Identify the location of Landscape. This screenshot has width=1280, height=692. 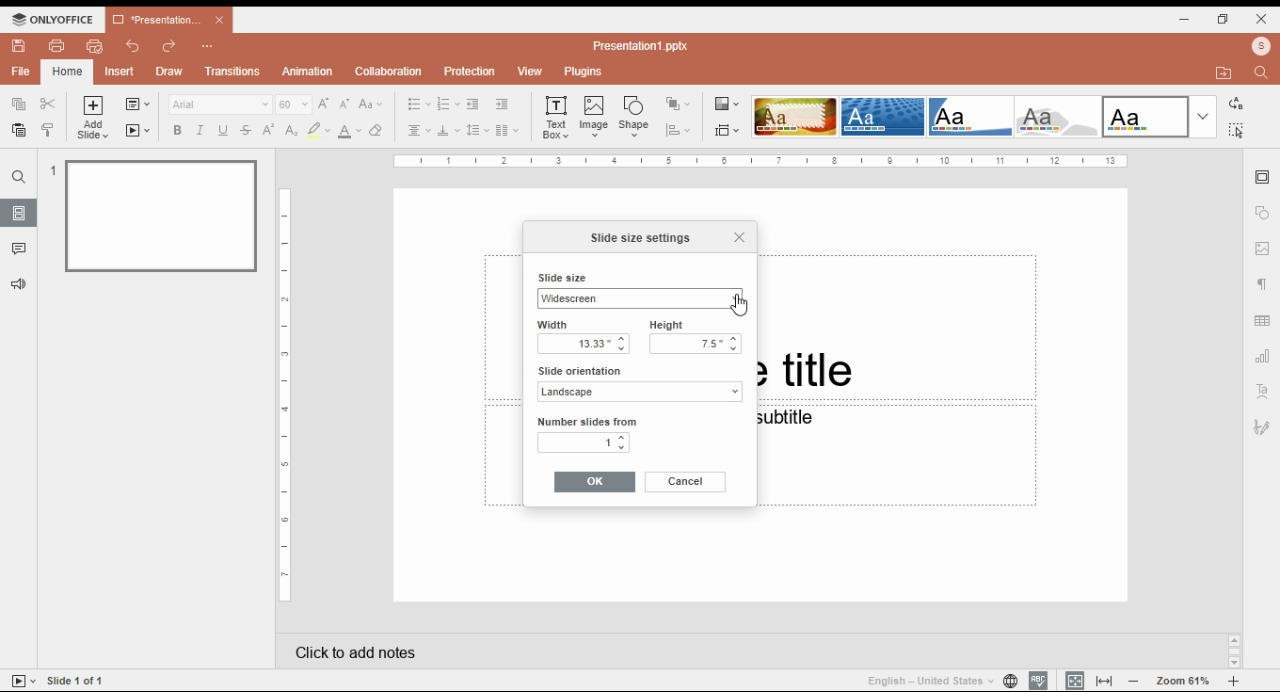
(638, 393).